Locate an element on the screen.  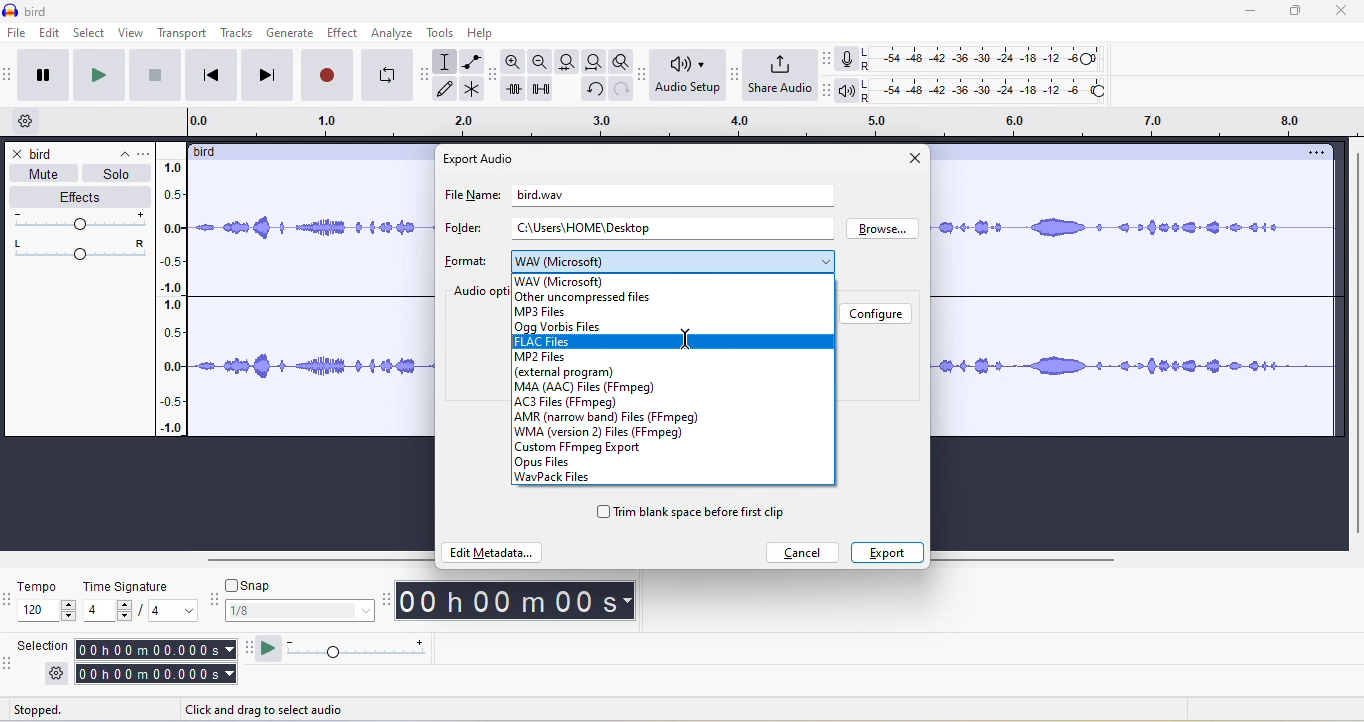
zoom in is located at coordinates (515, 64).